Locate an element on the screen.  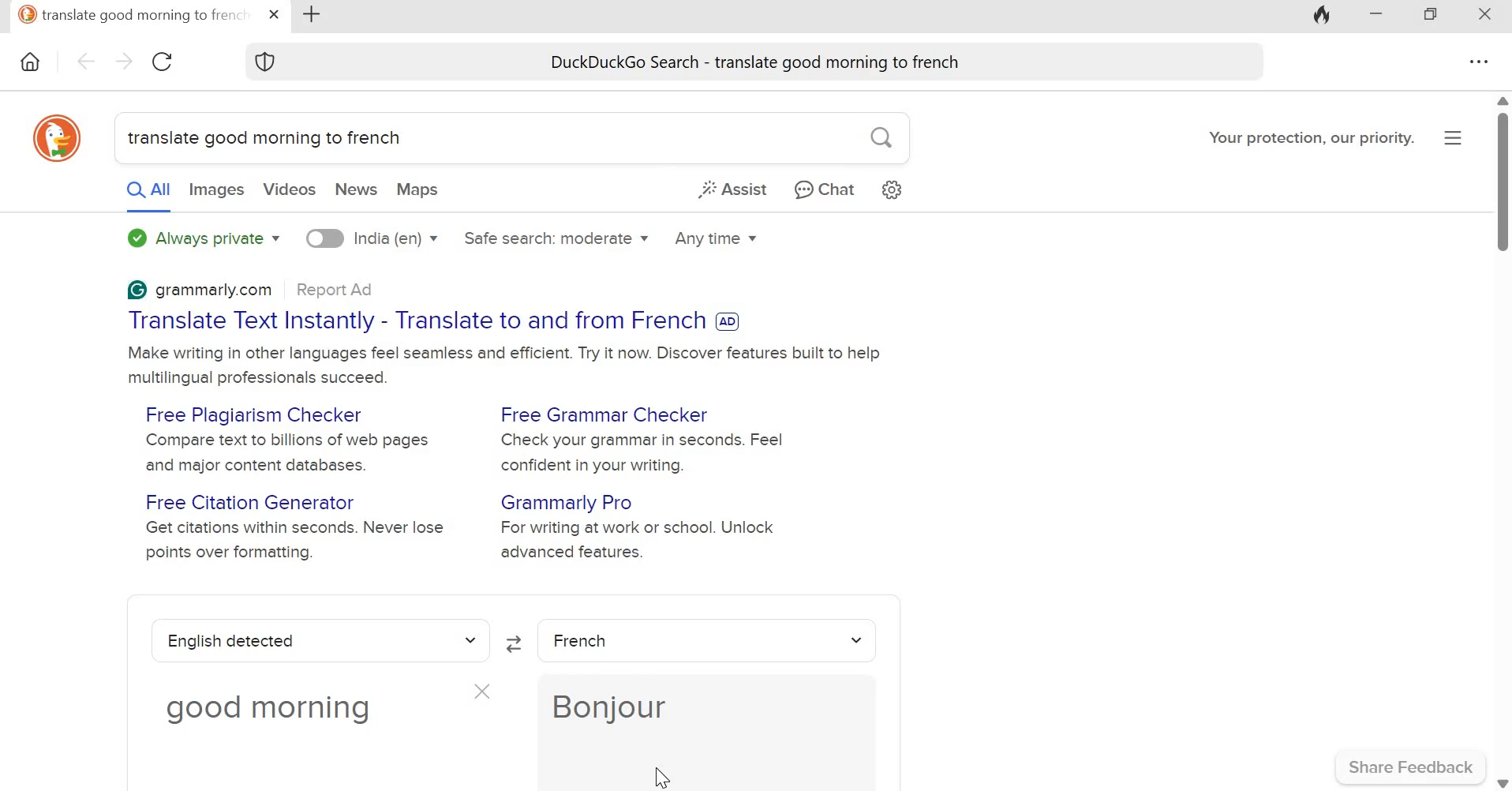
Bonjour is located at coordinates (620, 710).